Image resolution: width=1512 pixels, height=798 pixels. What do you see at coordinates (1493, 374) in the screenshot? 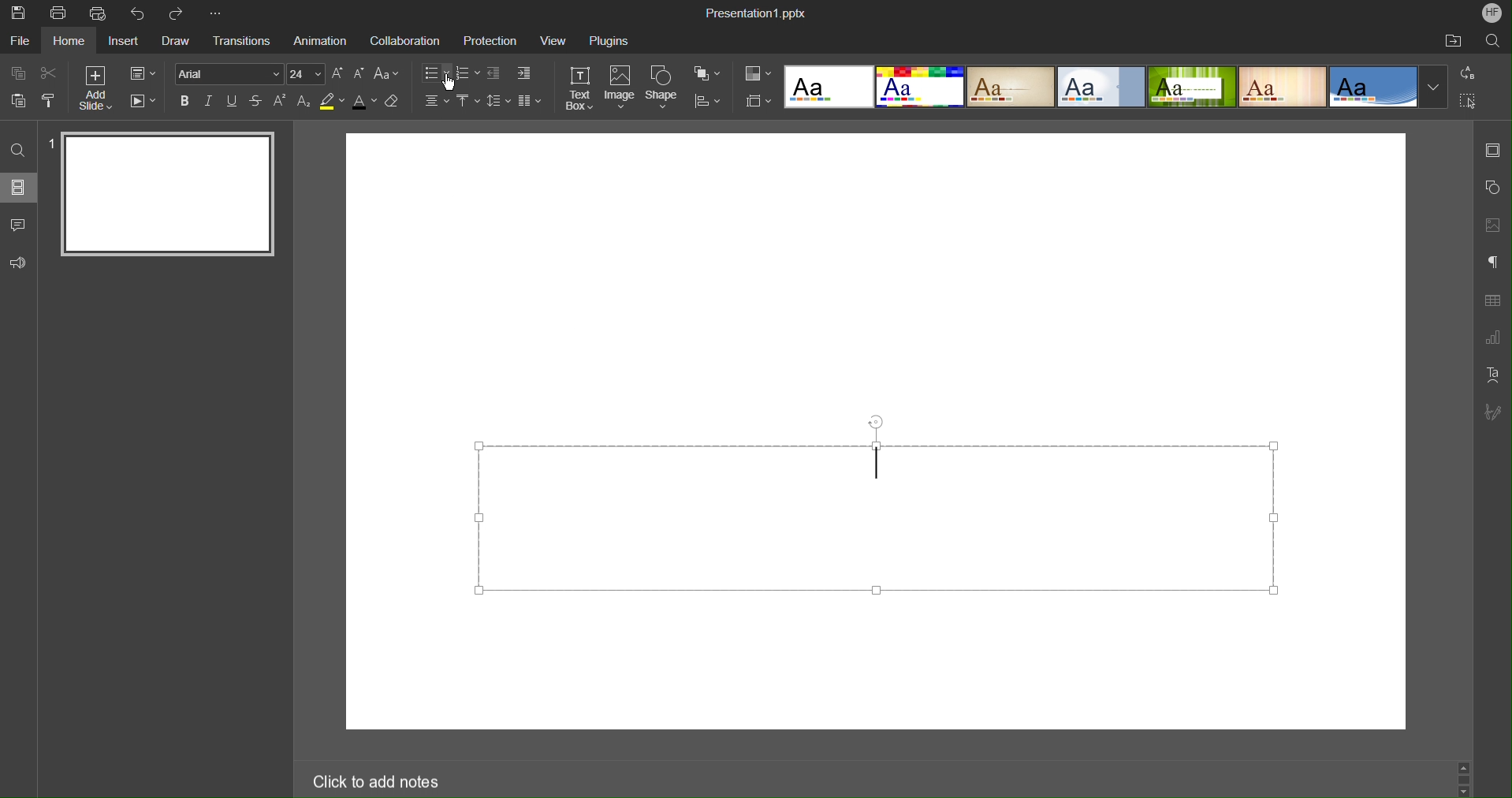
I see `Text Art` at bounding box center [1493, 374].